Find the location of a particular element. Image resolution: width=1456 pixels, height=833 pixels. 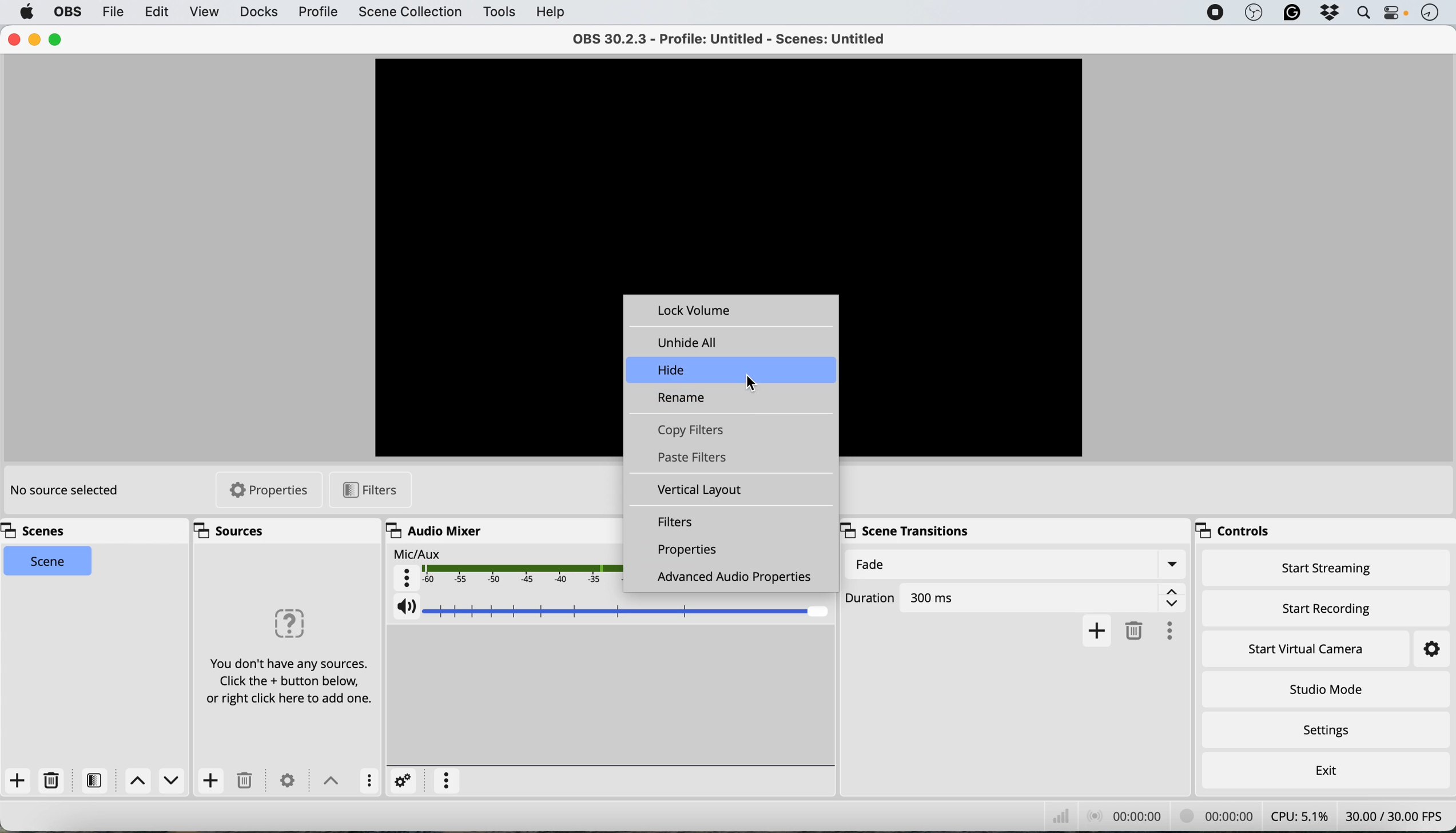

Scene/Video Preview is located at coordinates (730, 176).